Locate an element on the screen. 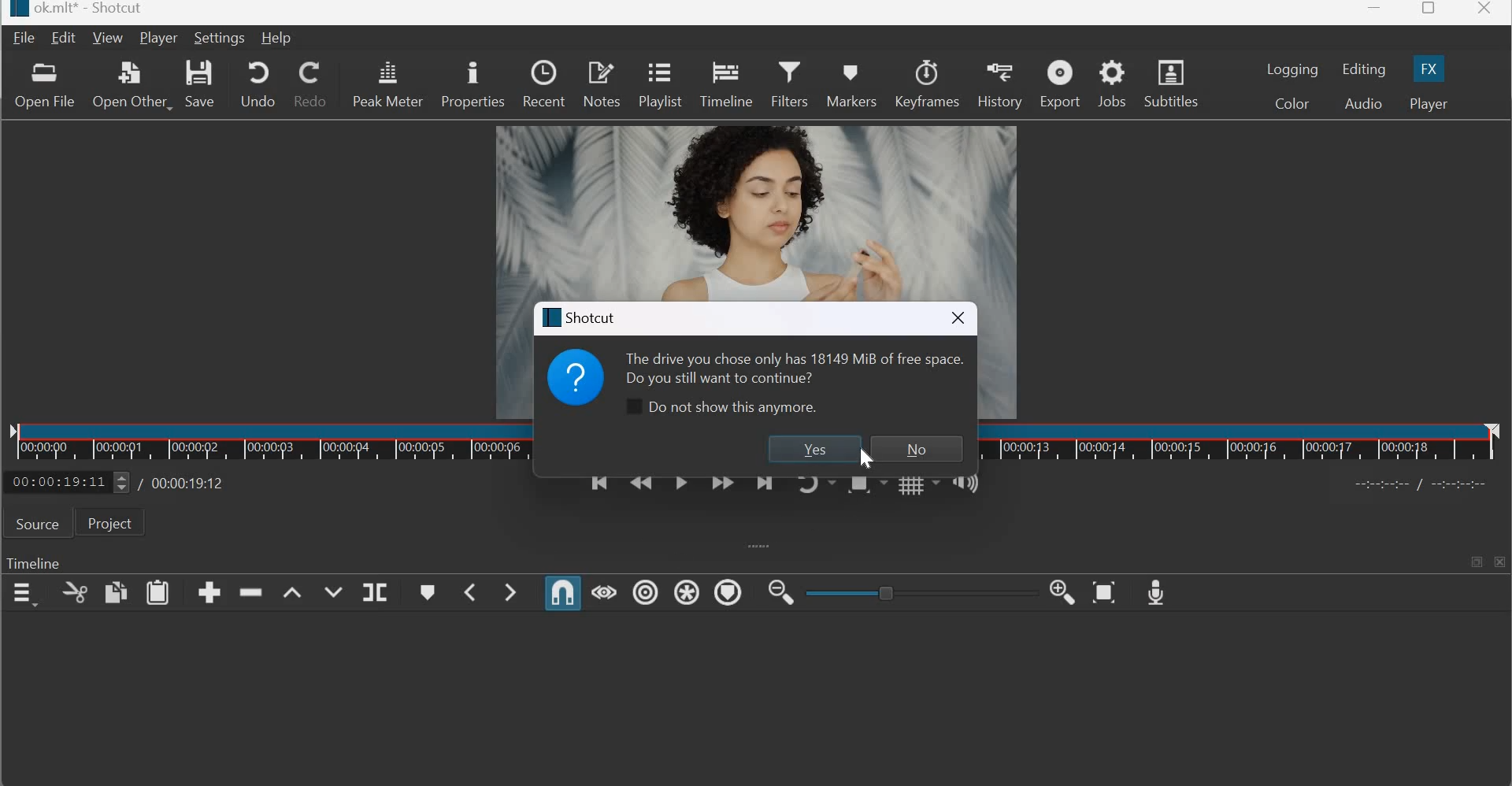 The height and width of the screenshot is (786, 1512). Filters is located at coordinates (790, 82).